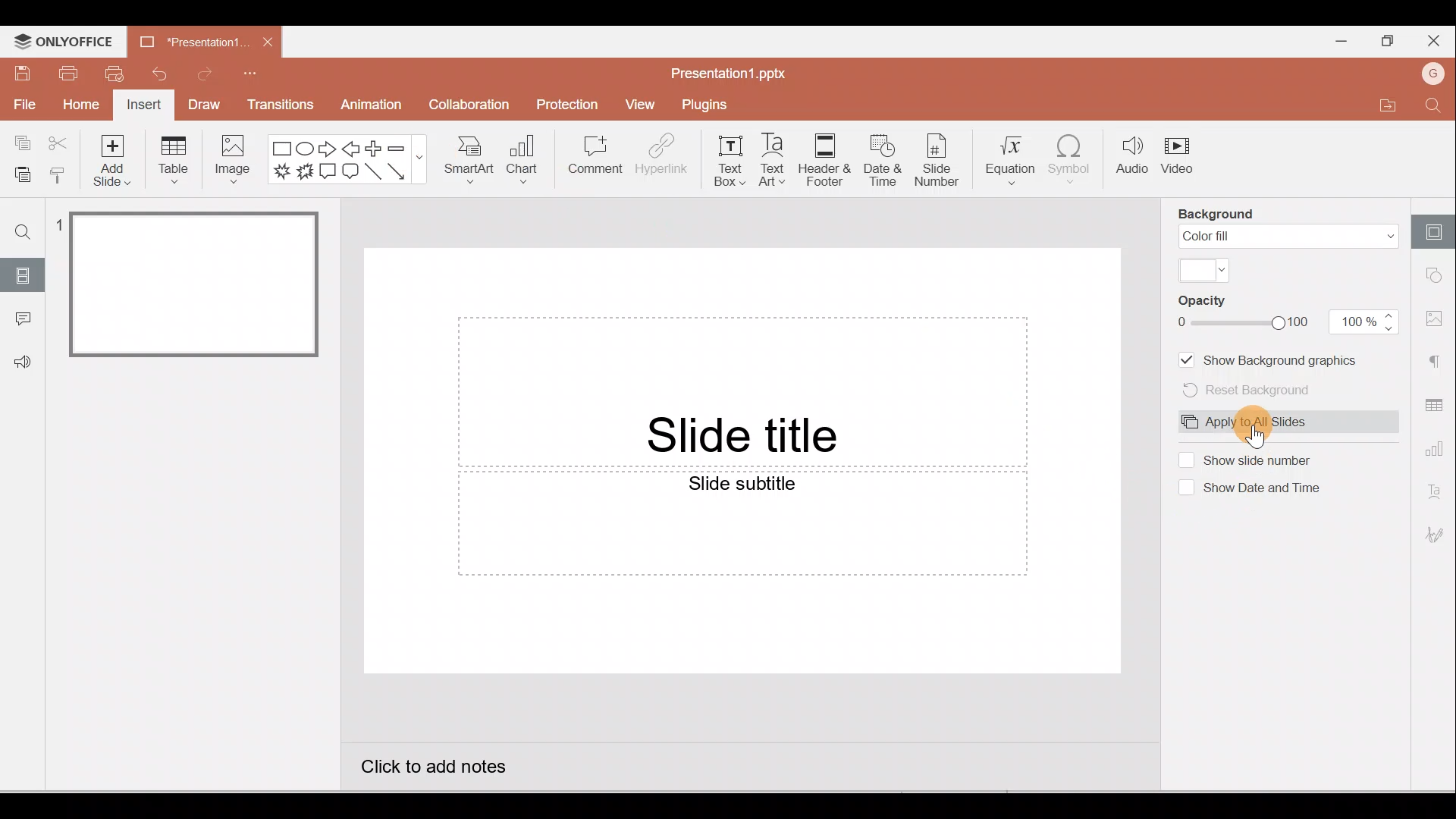 The width and height of the screenshot is (1456, 819). Describe the element at coordinates (1437, 538) in the screenshot. I see `Signature settings` at that location.